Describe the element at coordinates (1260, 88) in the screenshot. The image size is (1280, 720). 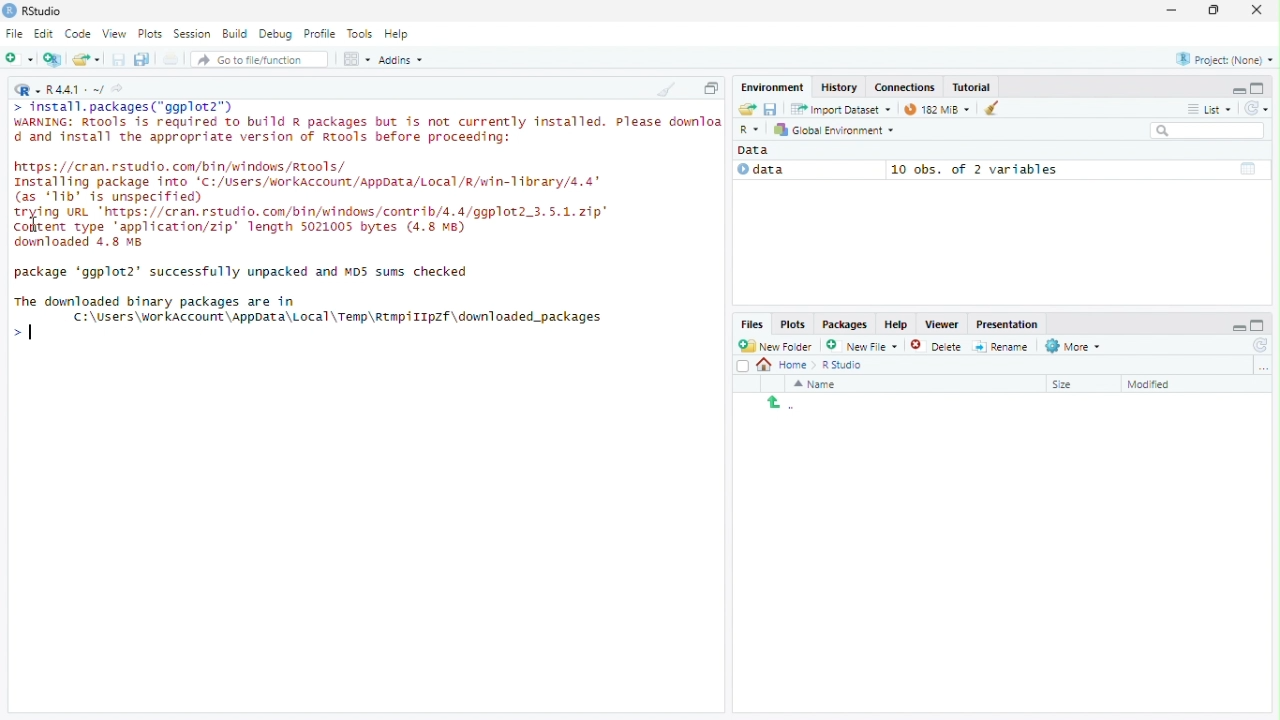
I see `maximize` at that location.